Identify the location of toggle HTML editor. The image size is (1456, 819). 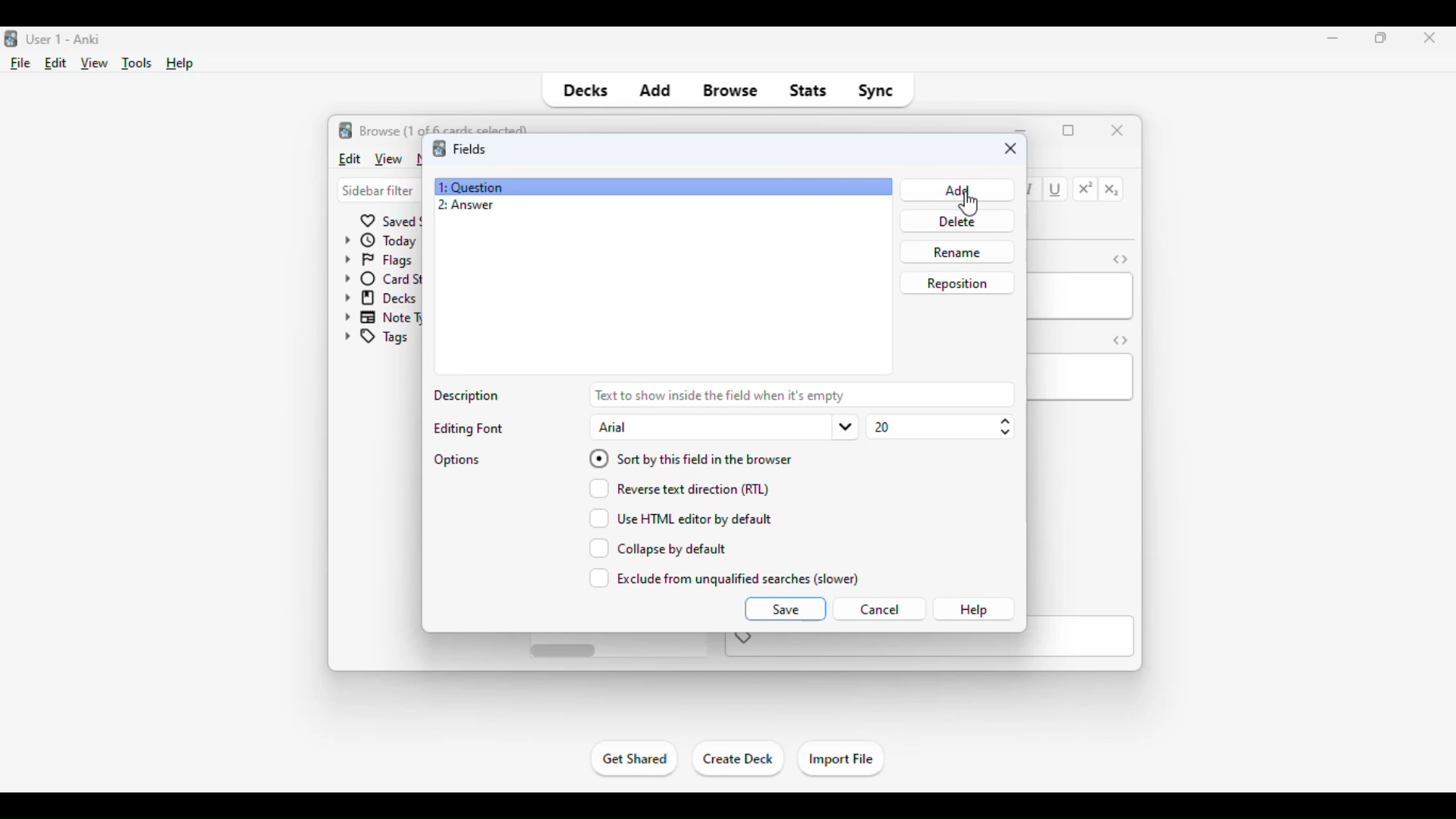
(1120, 259).